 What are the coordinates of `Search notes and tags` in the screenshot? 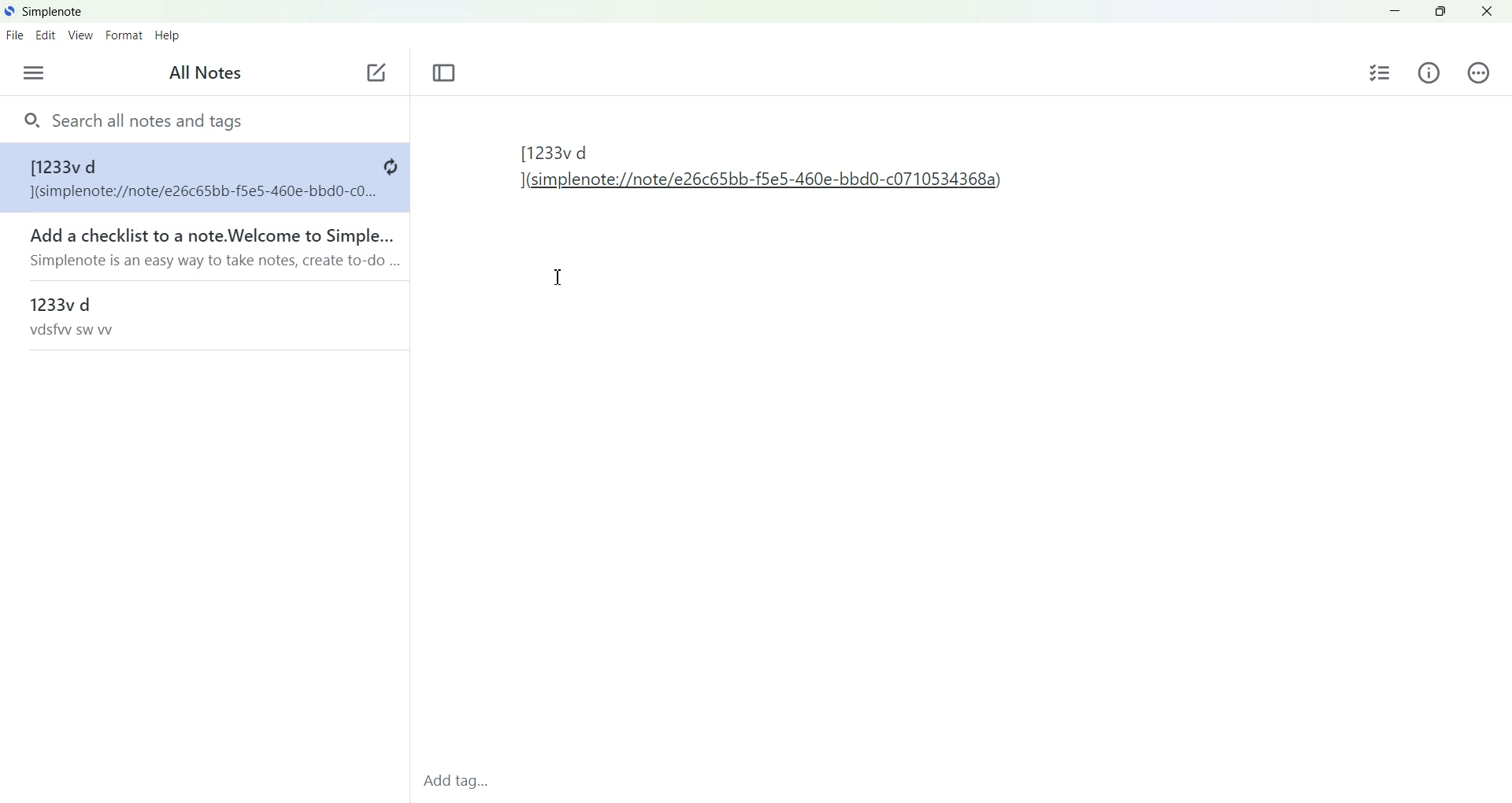 It's located at (203, 119).